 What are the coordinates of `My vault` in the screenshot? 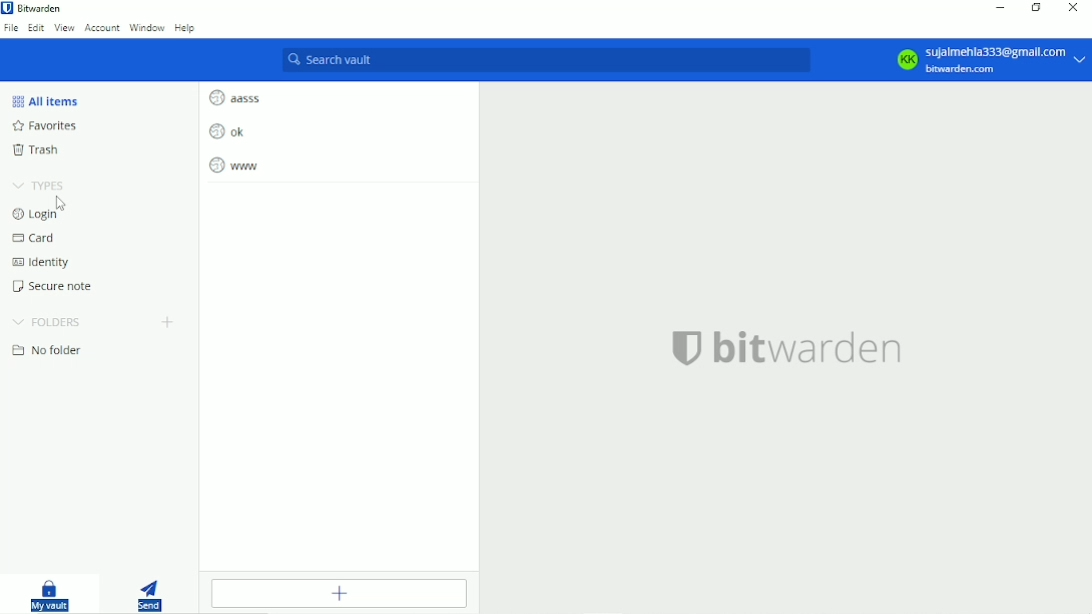 It's located at (51, 594).